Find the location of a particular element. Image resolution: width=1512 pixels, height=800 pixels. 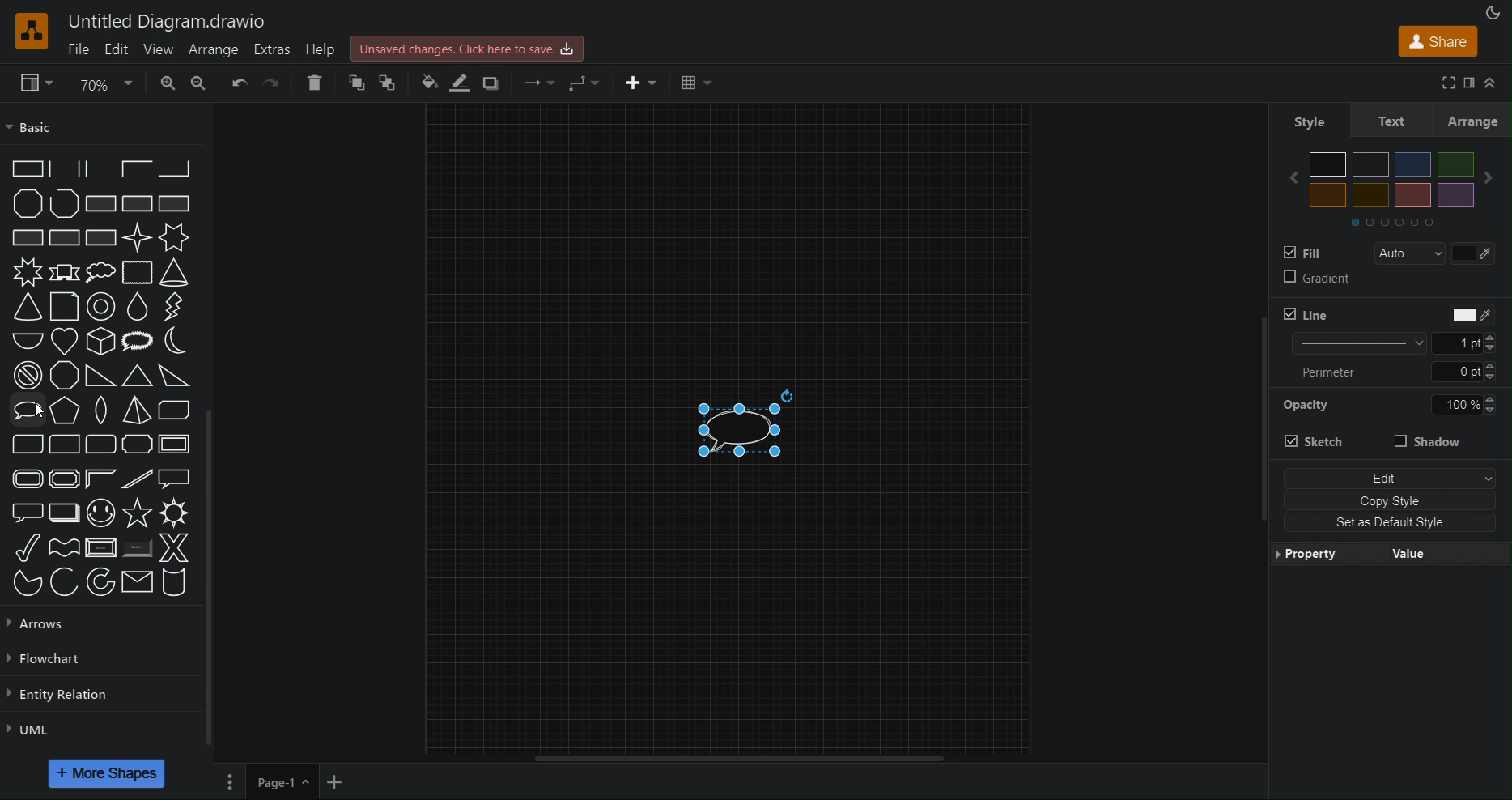

Copy Style is located at coordinates (1389, 500).